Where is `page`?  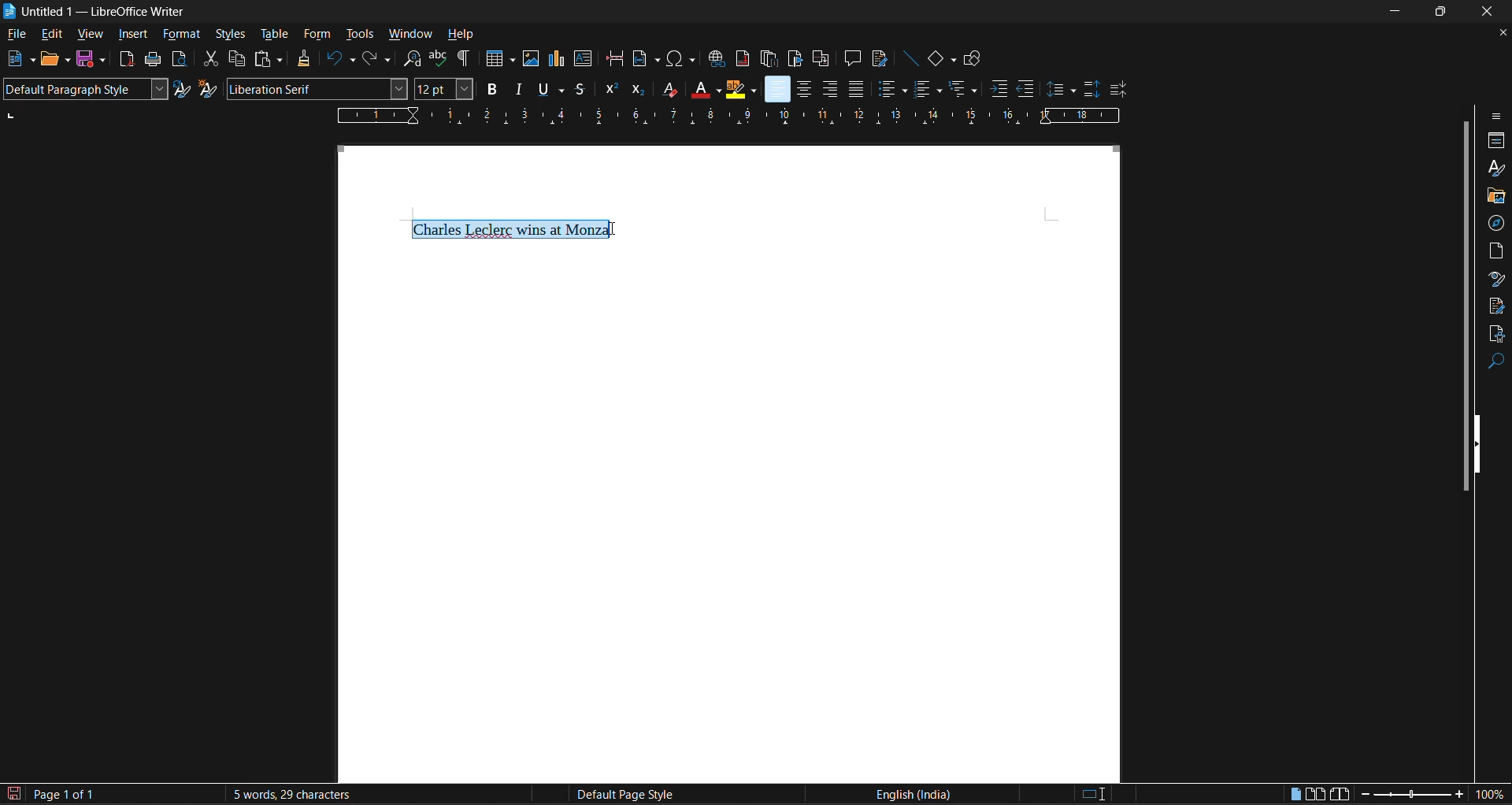 page is located at coordinates (1497, 249).